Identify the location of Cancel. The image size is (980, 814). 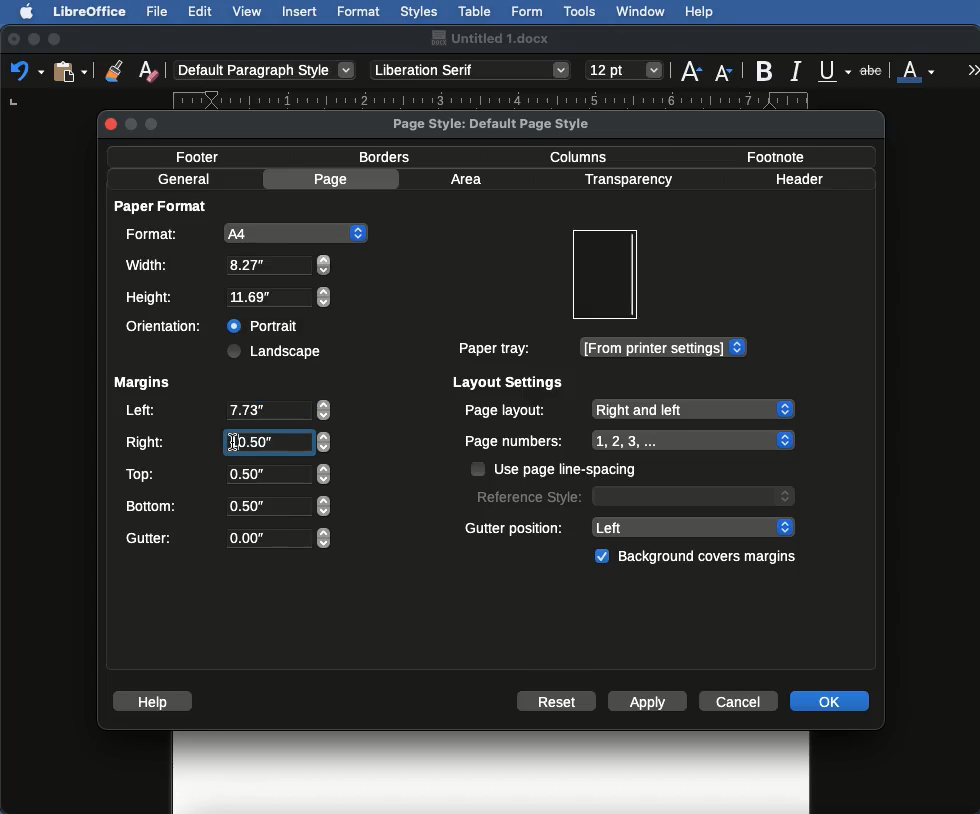
(741, 700).